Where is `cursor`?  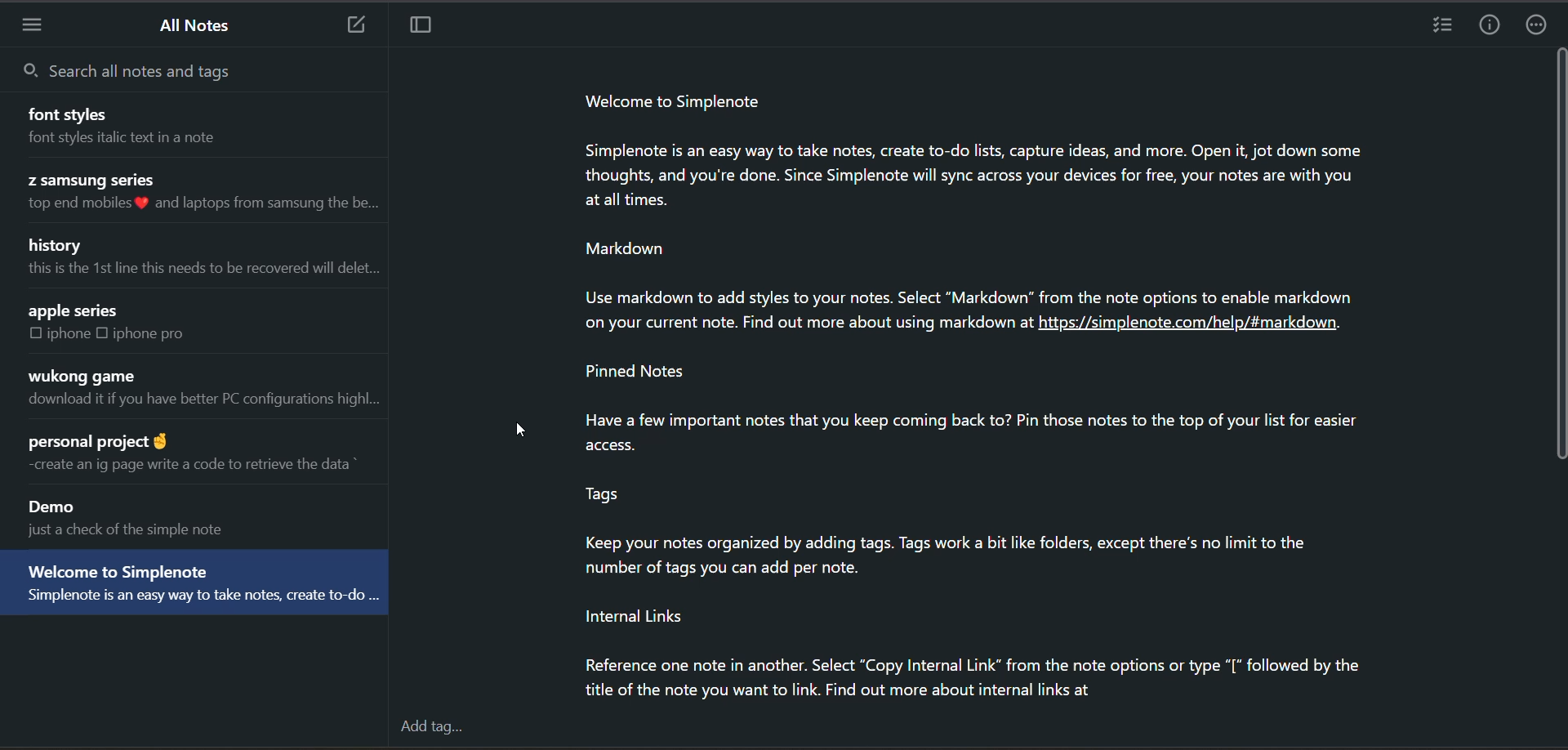
cursor is located at coordinates (519, 431).